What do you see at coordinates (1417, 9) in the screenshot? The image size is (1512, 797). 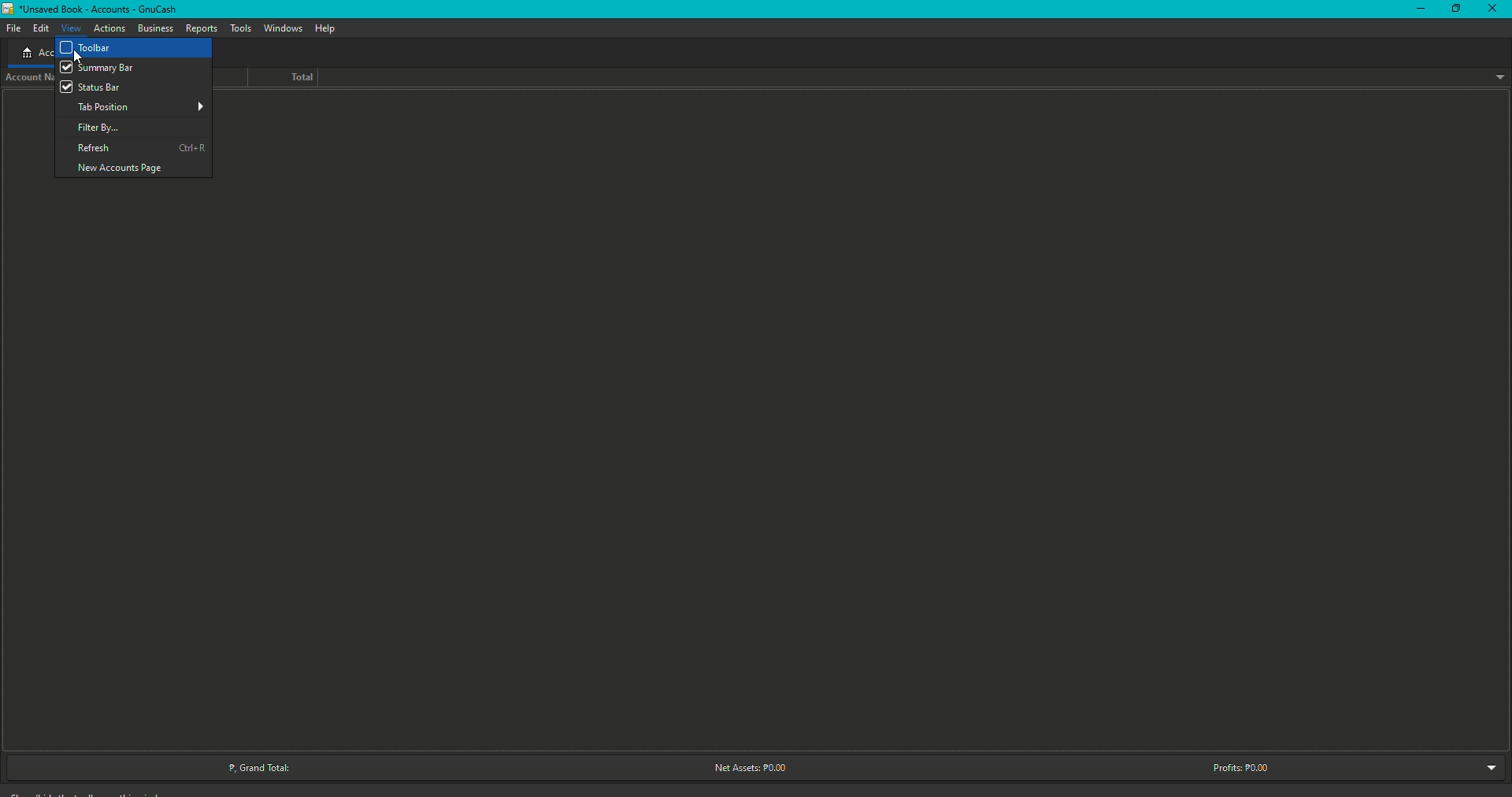 I see `Minimize` at bounding box center [1417, 9].